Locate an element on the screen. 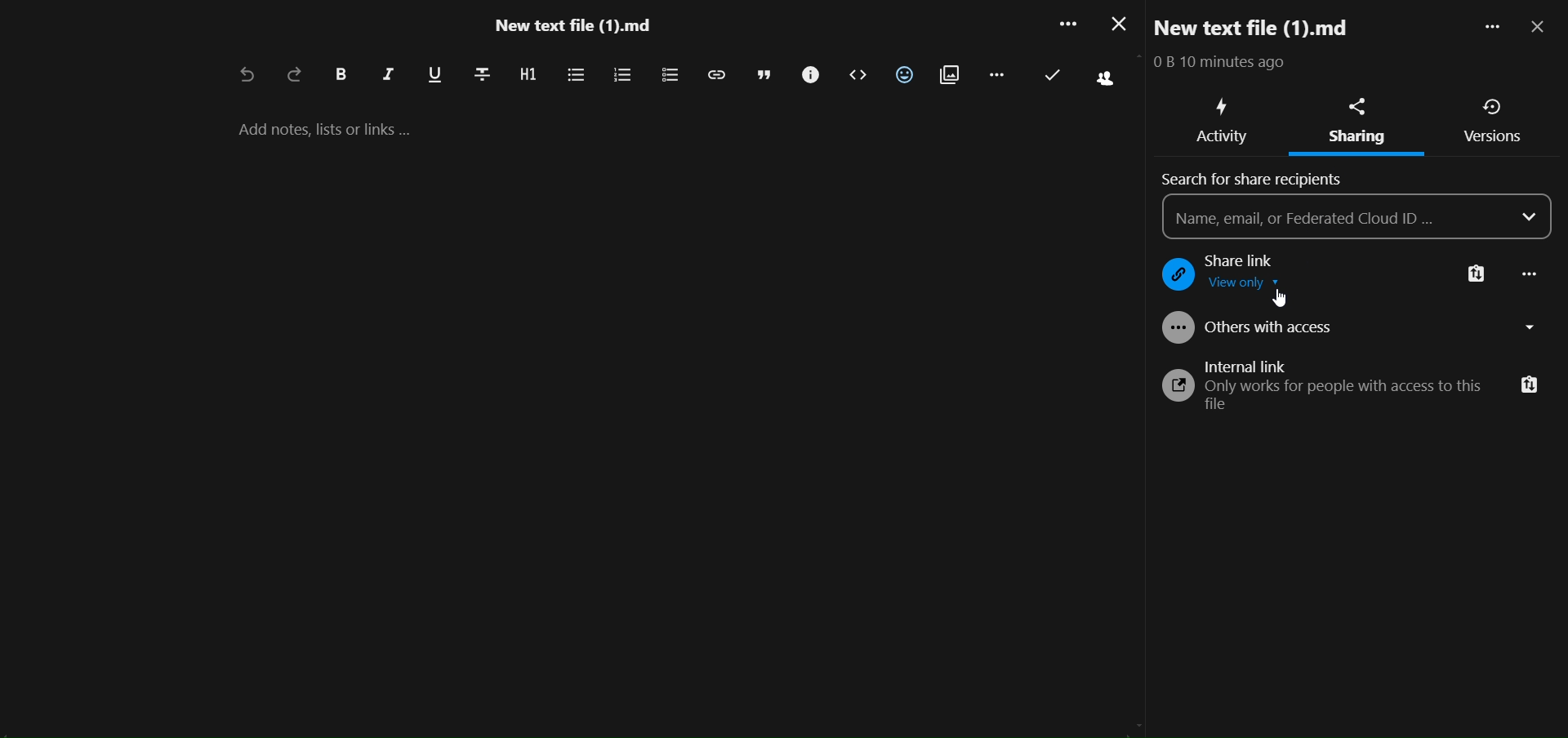 This screenshot has width=1568, height=738. text is located at coordinates (1228, 64).